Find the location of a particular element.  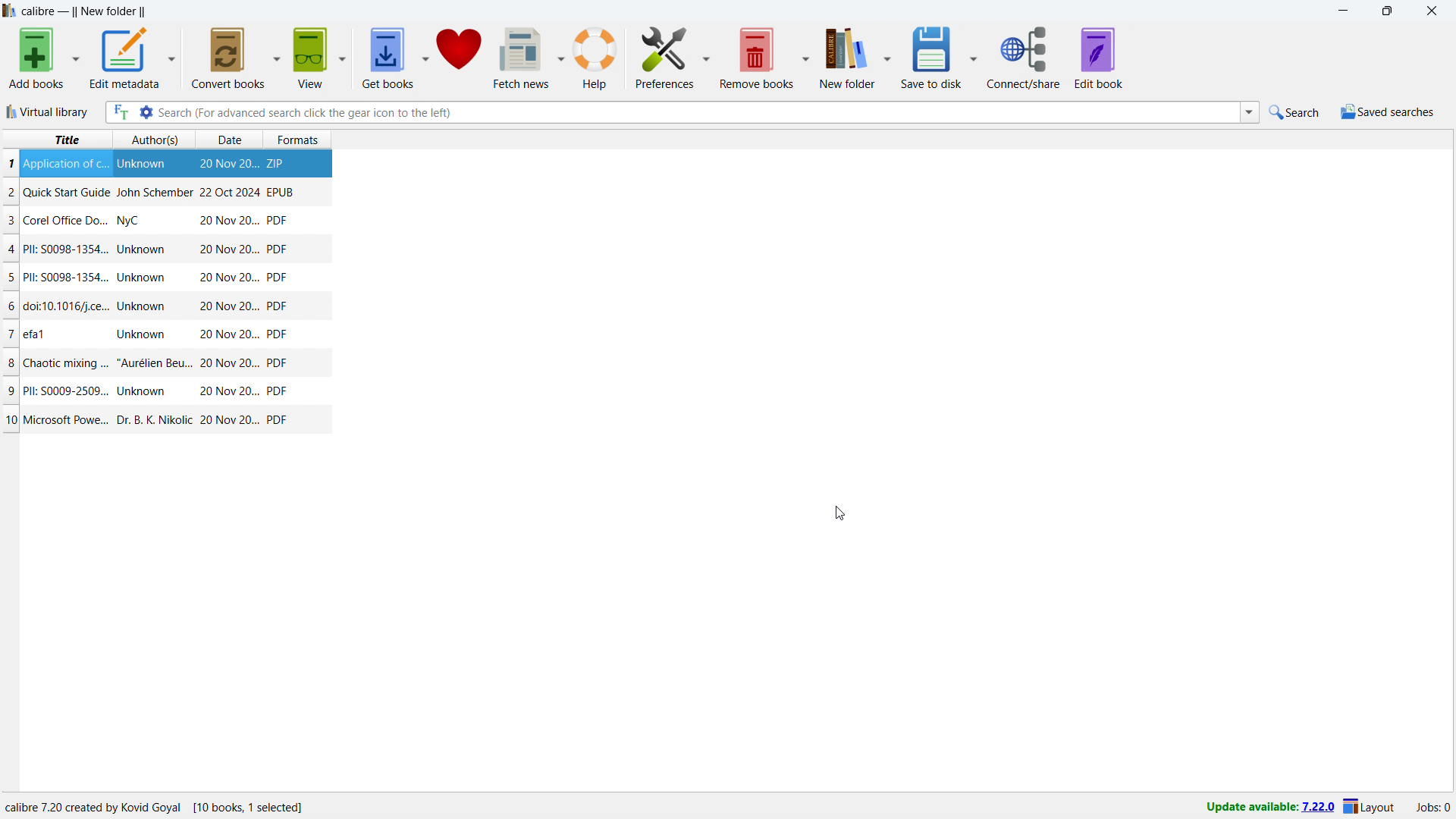

active jobs is located at coordinates (1433, 808).